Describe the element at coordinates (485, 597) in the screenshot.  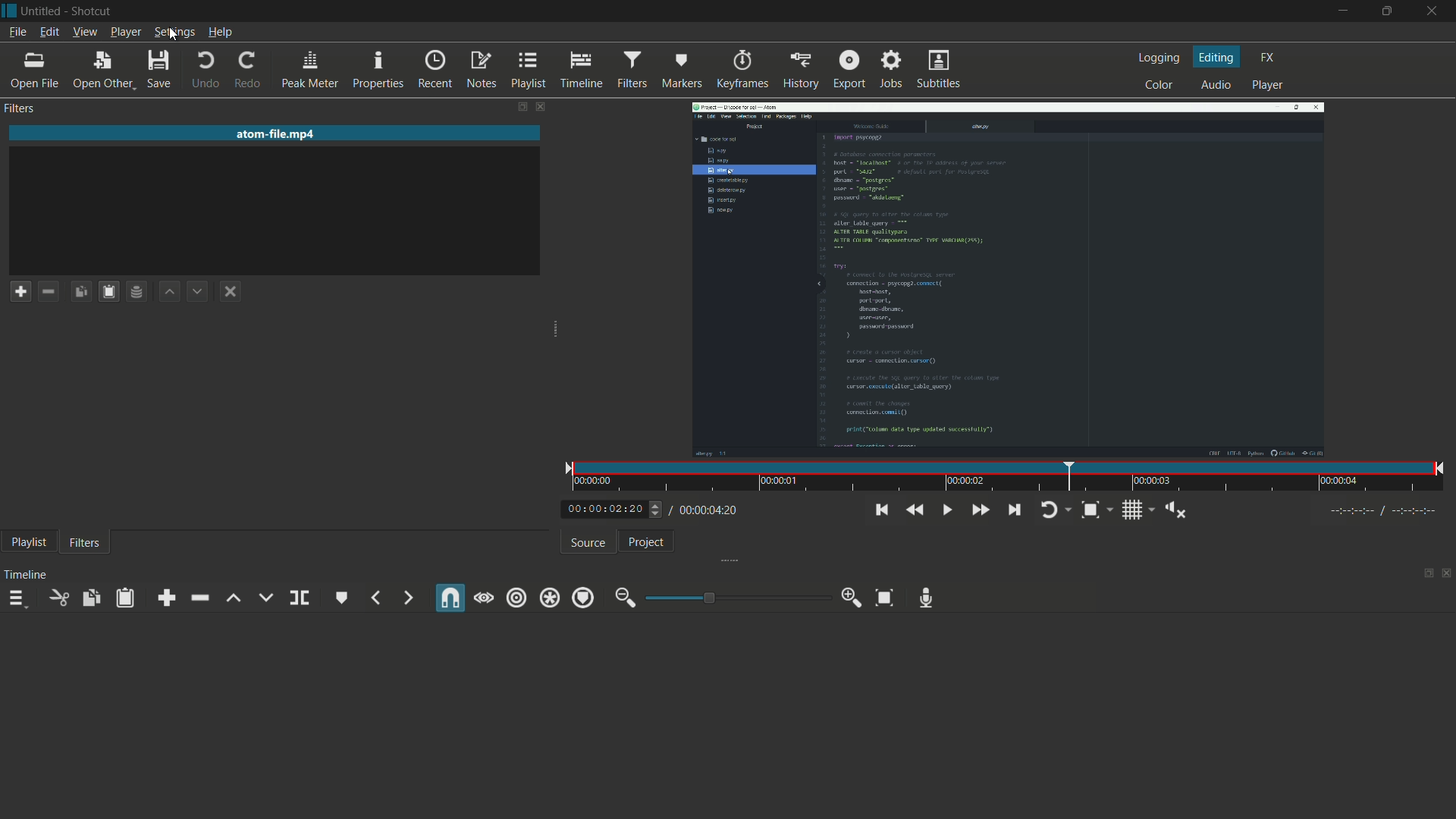
I see `scrub while dragging` at that location.